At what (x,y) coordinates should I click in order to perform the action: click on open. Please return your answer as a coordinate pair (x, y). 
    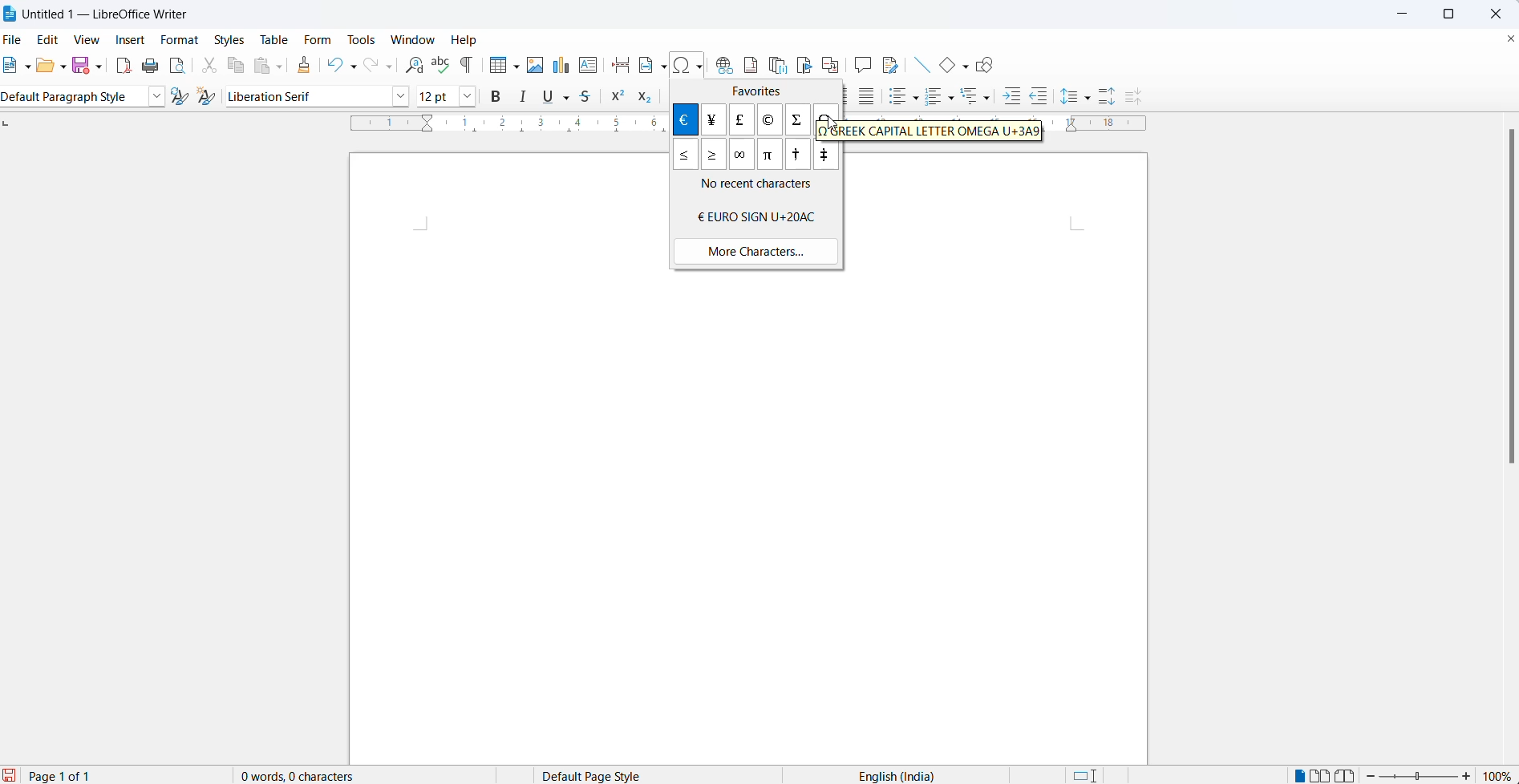
    Looking at the image, I should click on (45, 66).